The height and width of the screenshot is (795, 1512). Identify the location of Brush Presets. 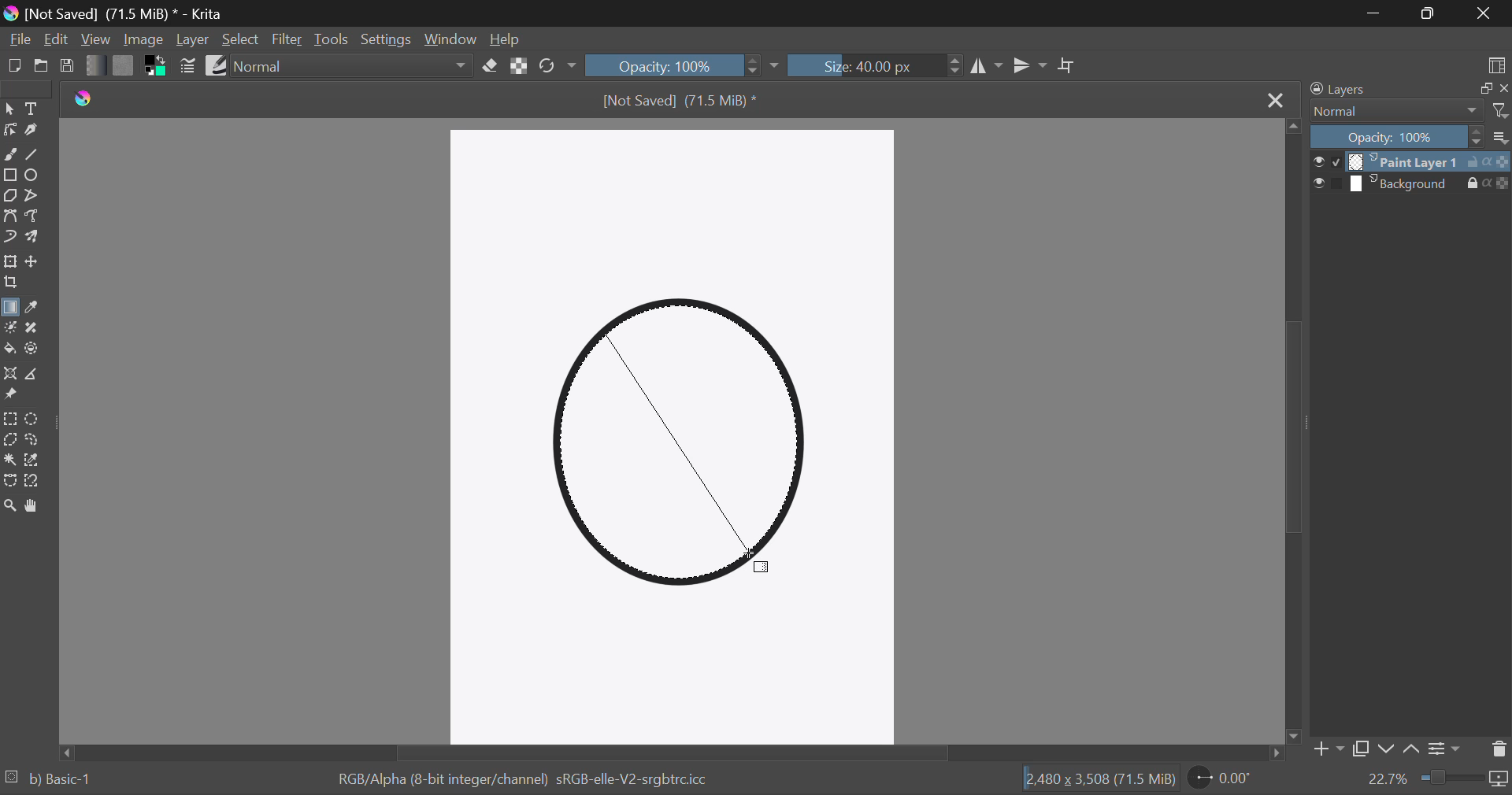
(219, 67).